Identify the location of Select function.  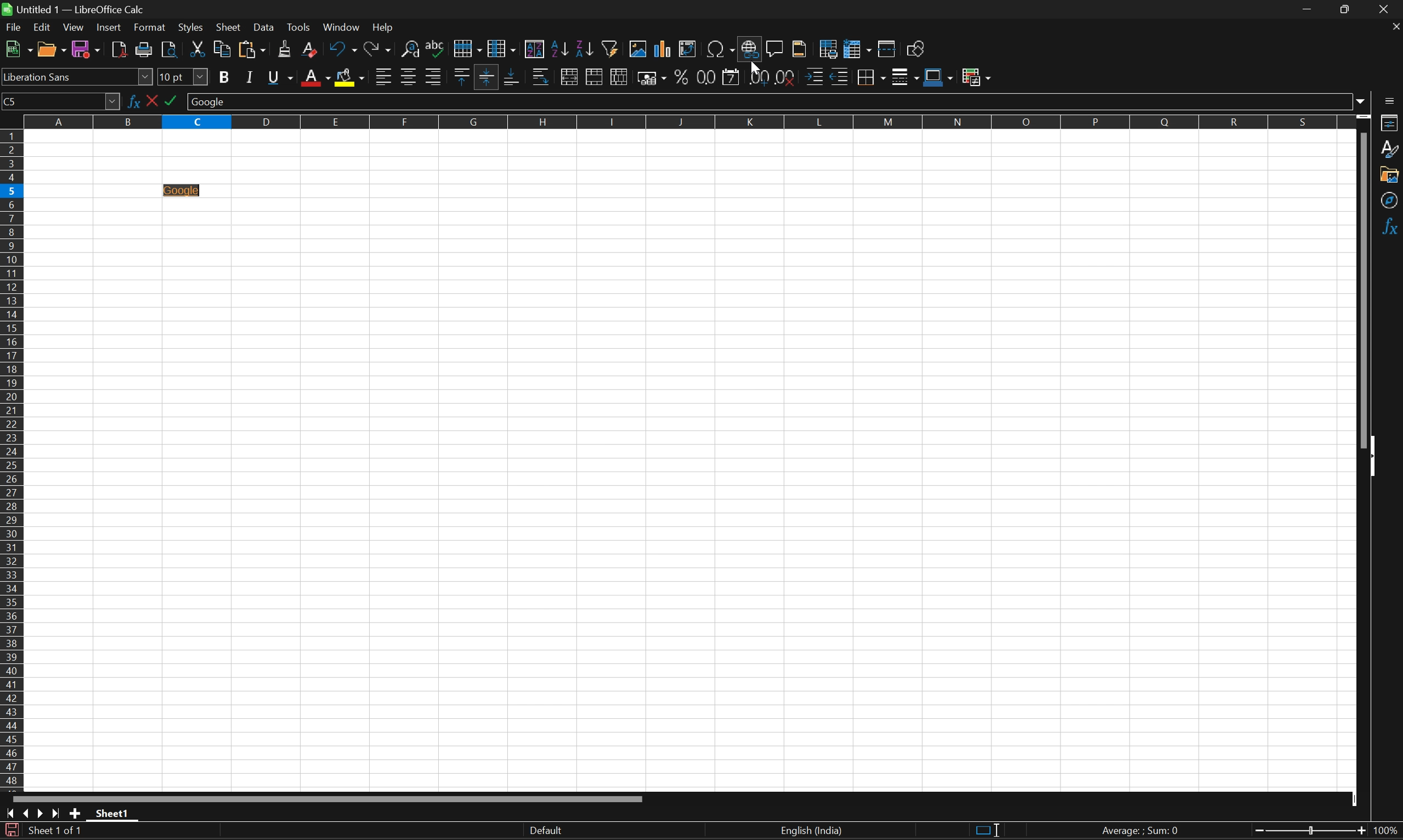
(156, 100).